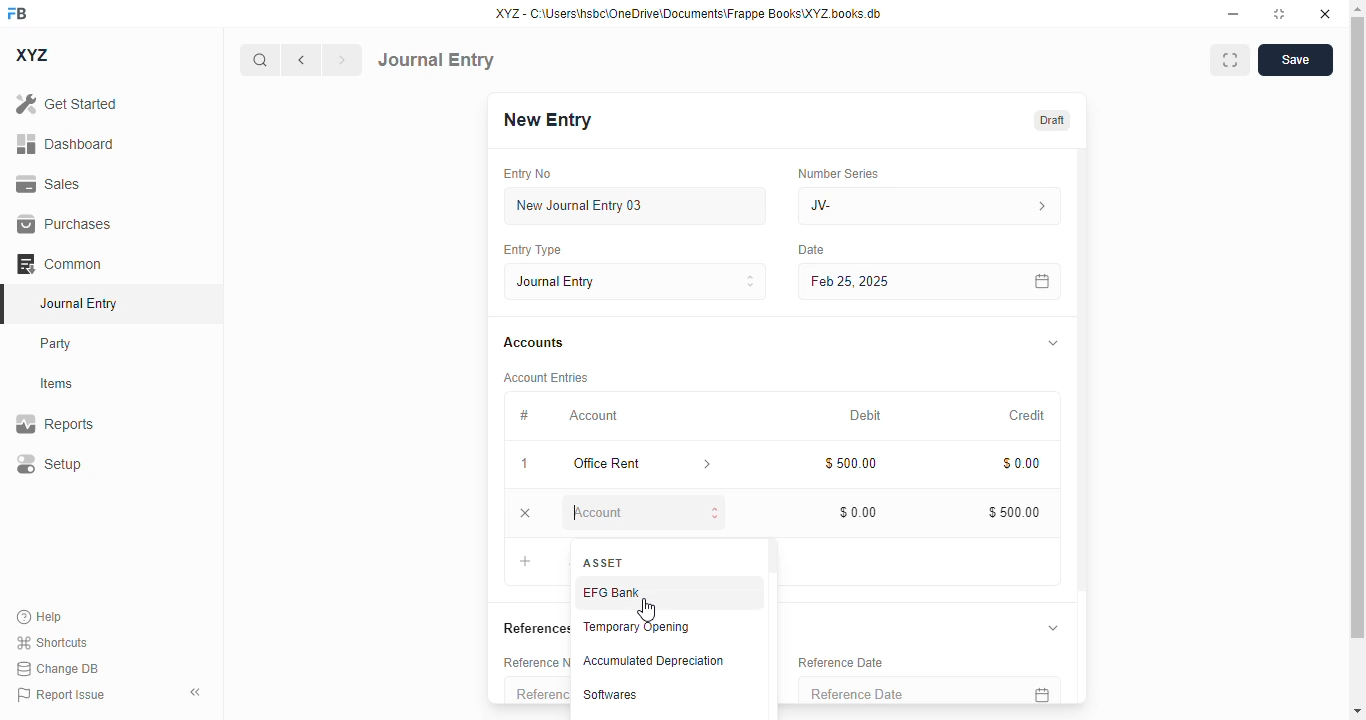 The height and width of the screenshot is (720, 1366). I want to click on purchases, so click(65, 224).